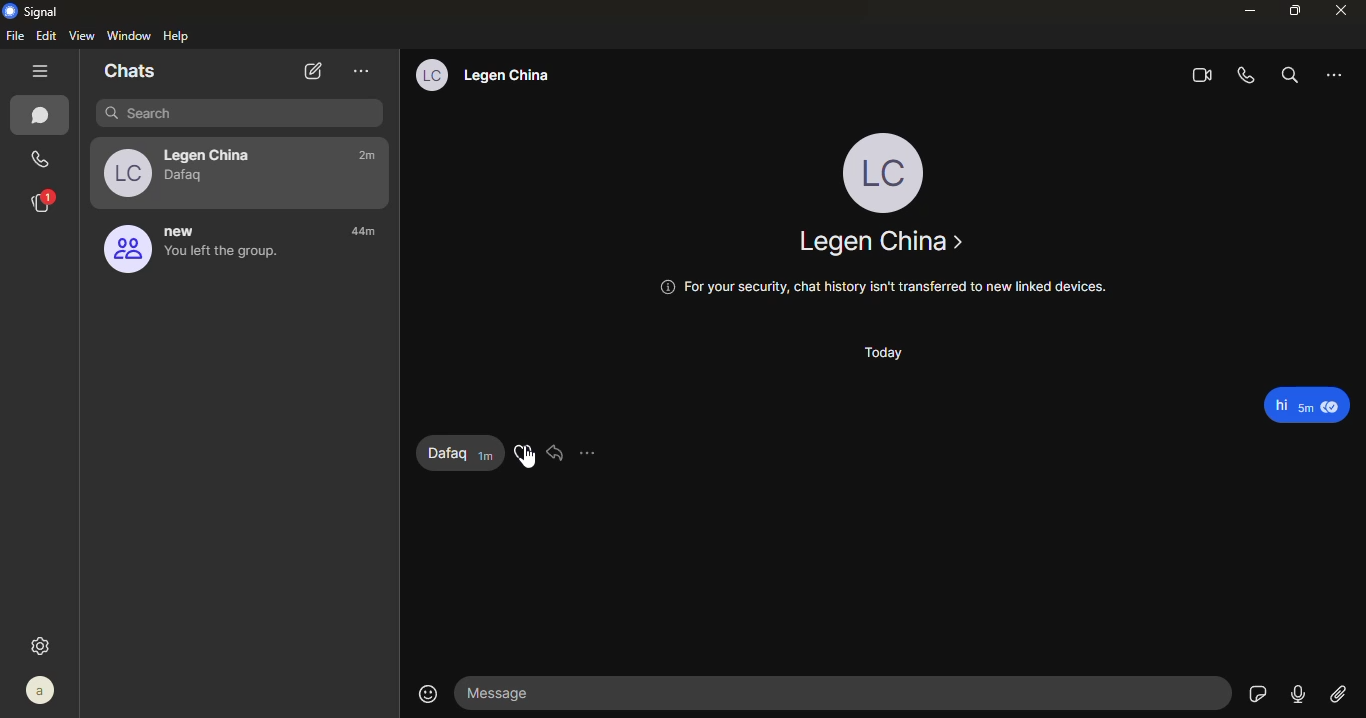 This screenshot has height=718, width=1366. Describe the element at coordinates (528, 457) in the screenshot. I see `cursor` at that location.